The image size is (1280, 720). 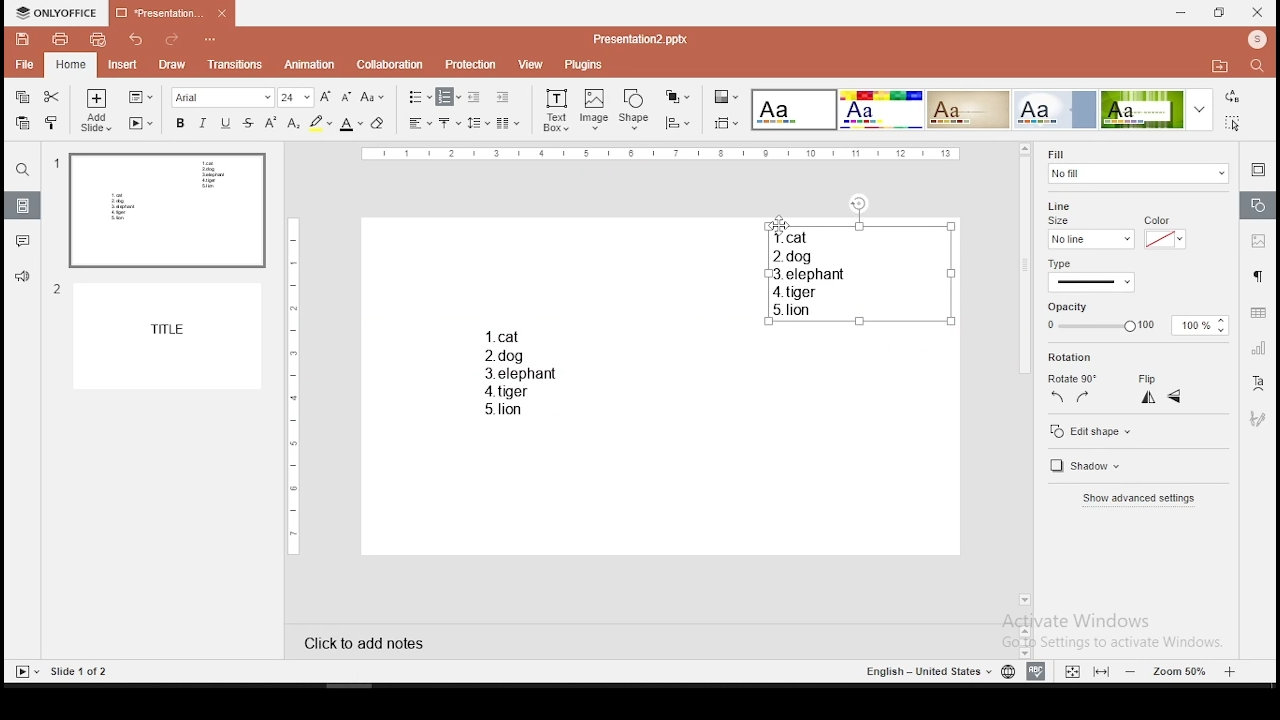 I want to click on close window, so click(x=1258, y=12).